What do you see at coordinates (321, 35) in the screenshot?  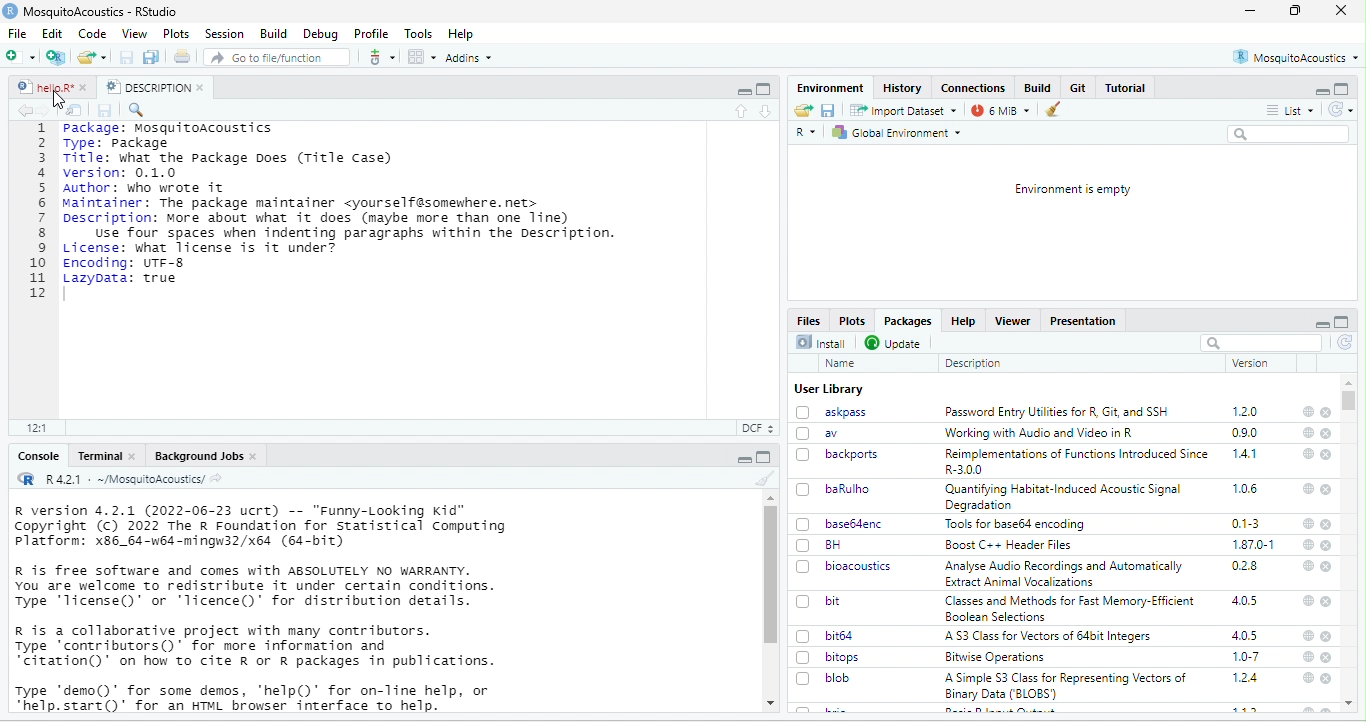 I see `Debug` at bounding box center [321, 35].